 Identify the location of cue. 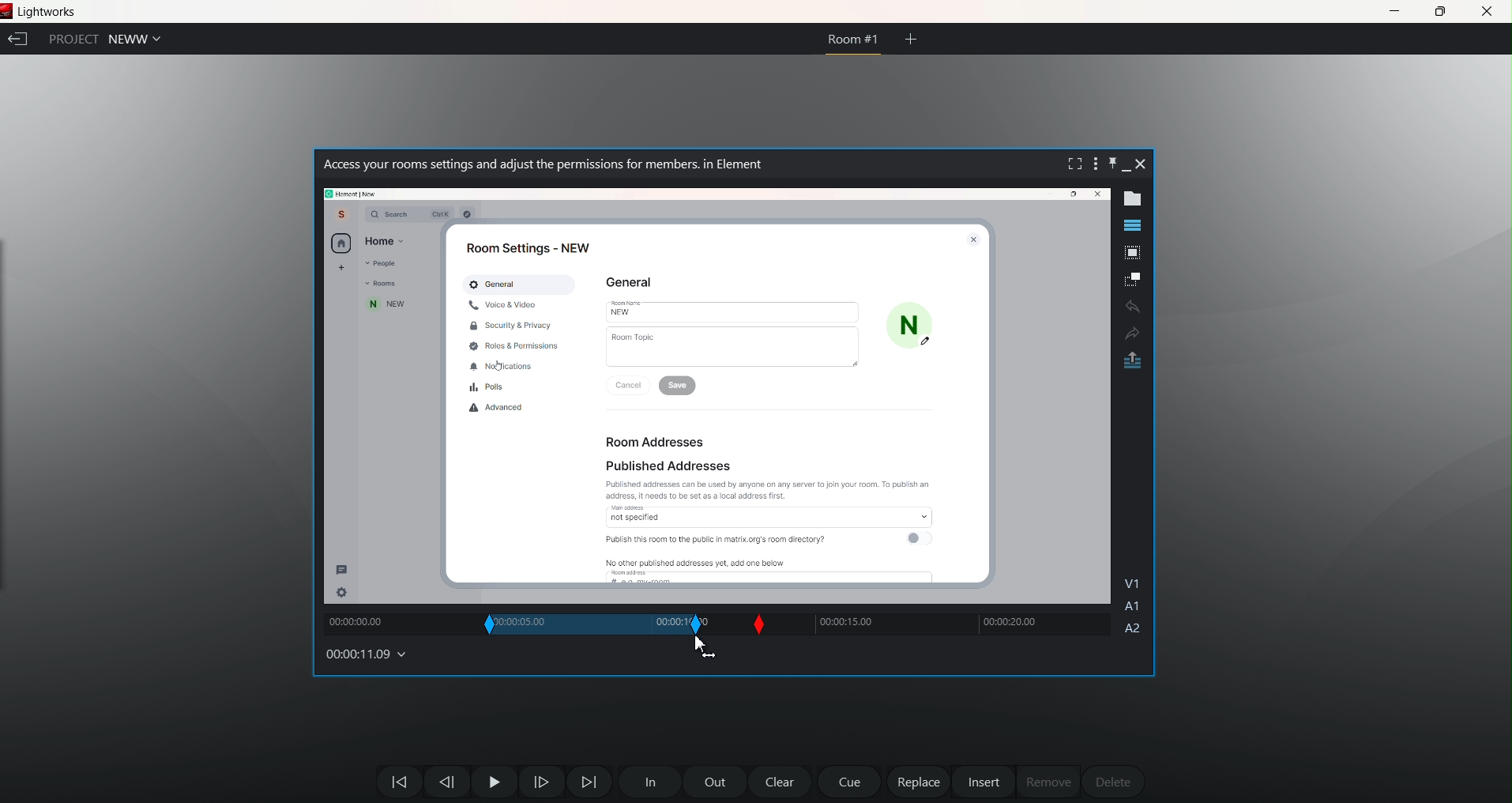
(848, 782).